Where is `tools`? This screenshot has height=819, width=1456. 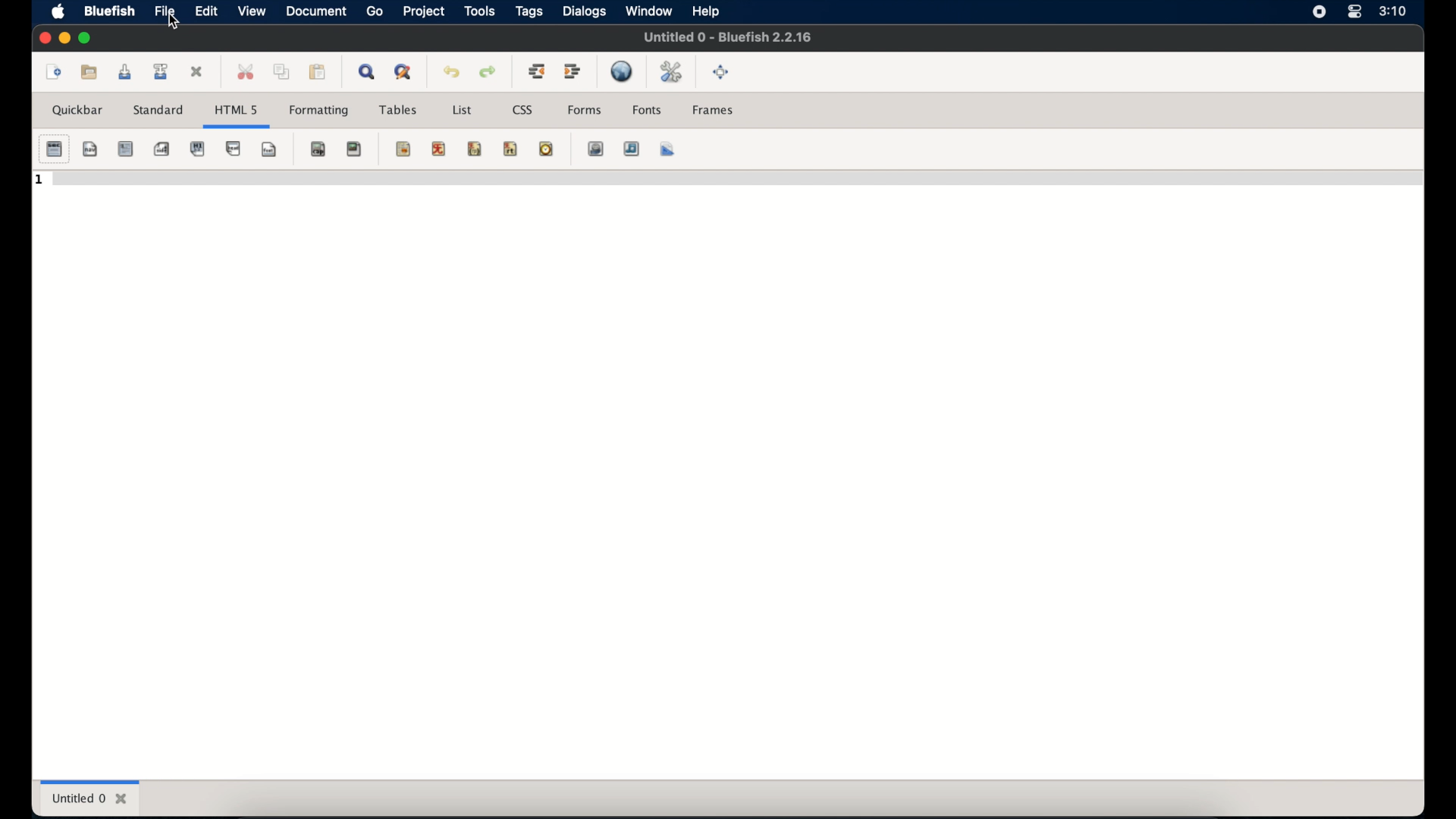
tools is located at coordinates (479, 11).